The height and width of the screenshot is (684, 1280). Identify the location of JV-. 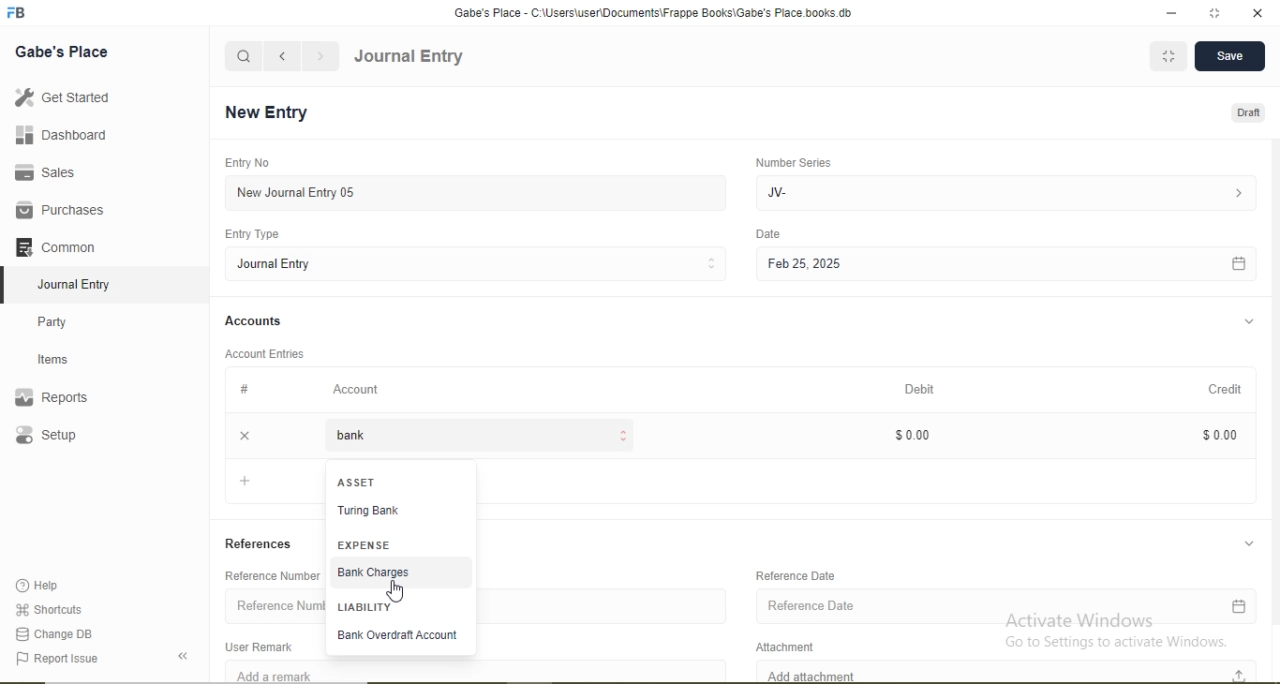
(1003, 191).